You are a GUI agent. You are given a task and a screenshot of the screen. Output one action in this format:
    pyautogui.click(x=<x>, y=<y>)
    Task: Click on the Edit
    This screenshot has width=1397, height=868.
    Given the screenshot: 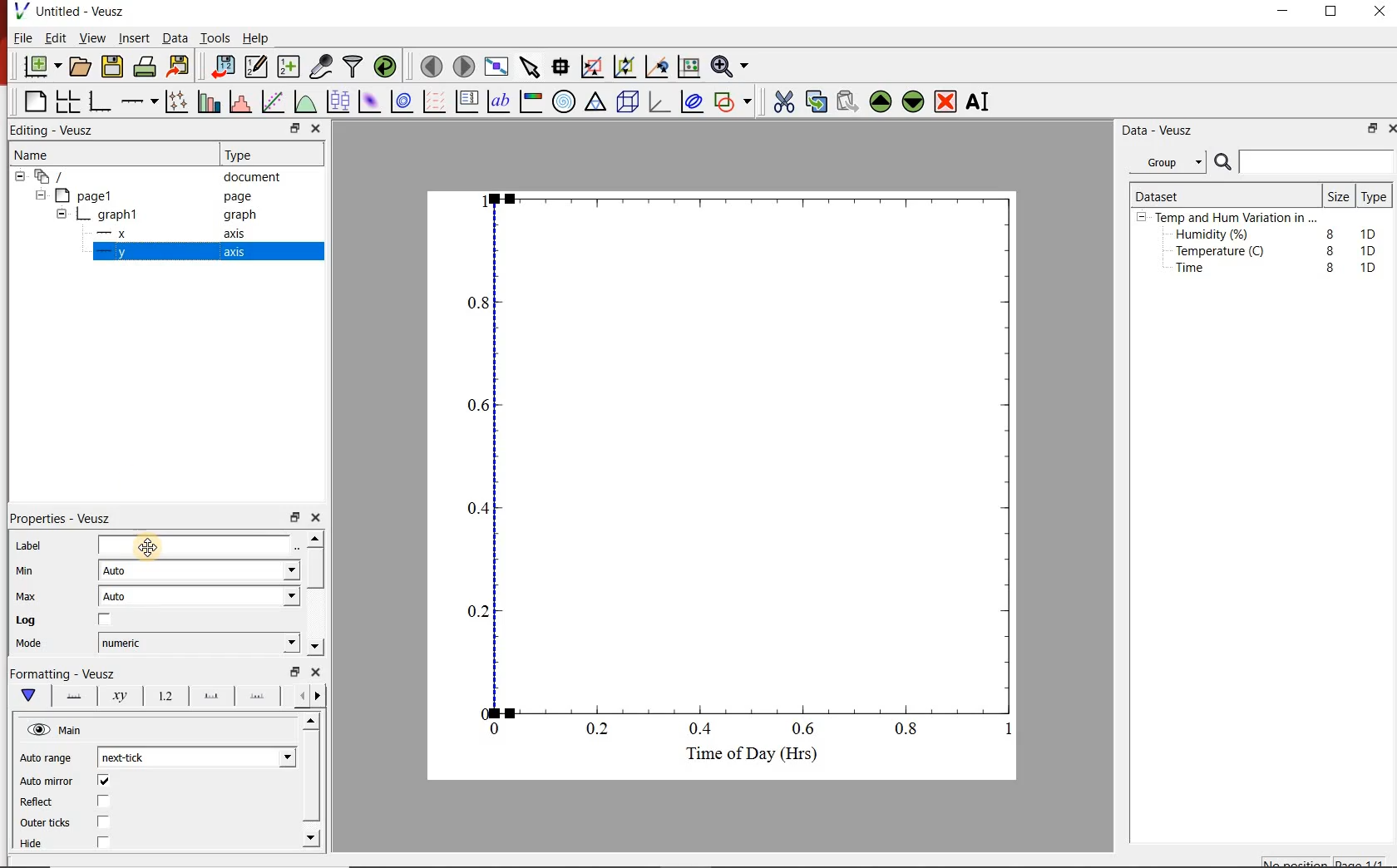 What is the action you would take?
    pyautogui.click(x=56, y=40)
    